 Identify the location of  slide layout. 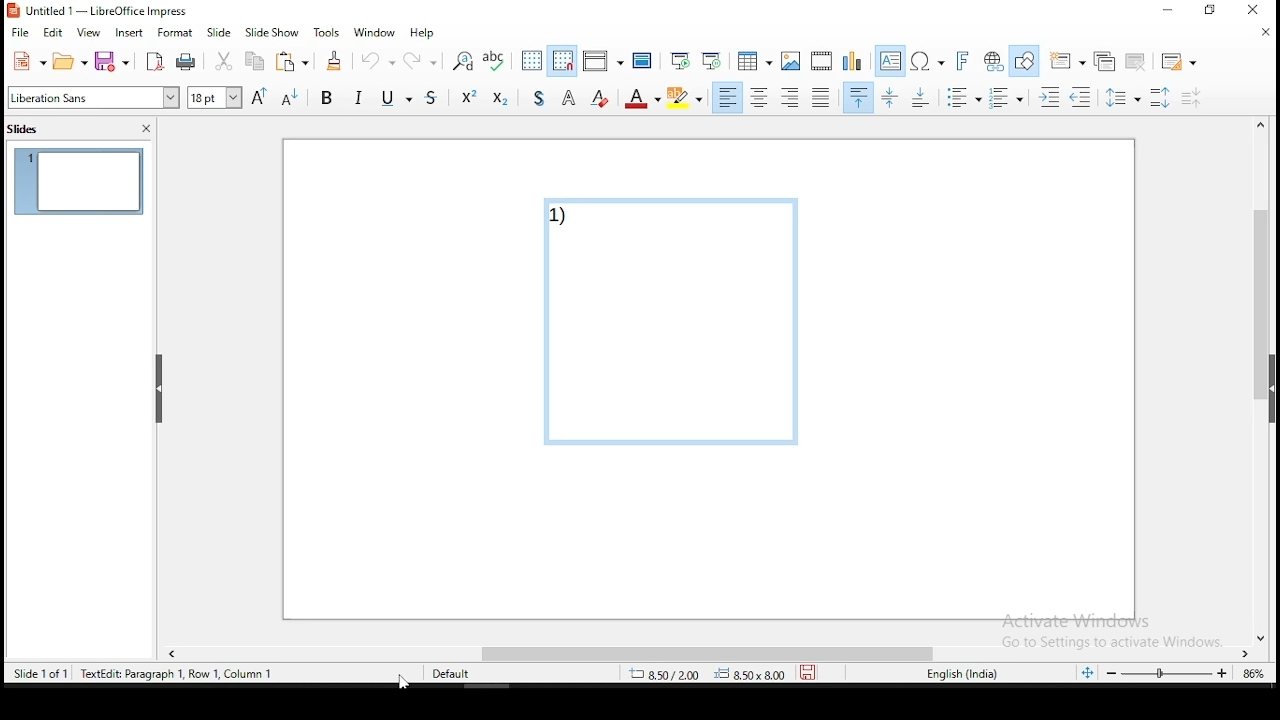
(1180, 60).